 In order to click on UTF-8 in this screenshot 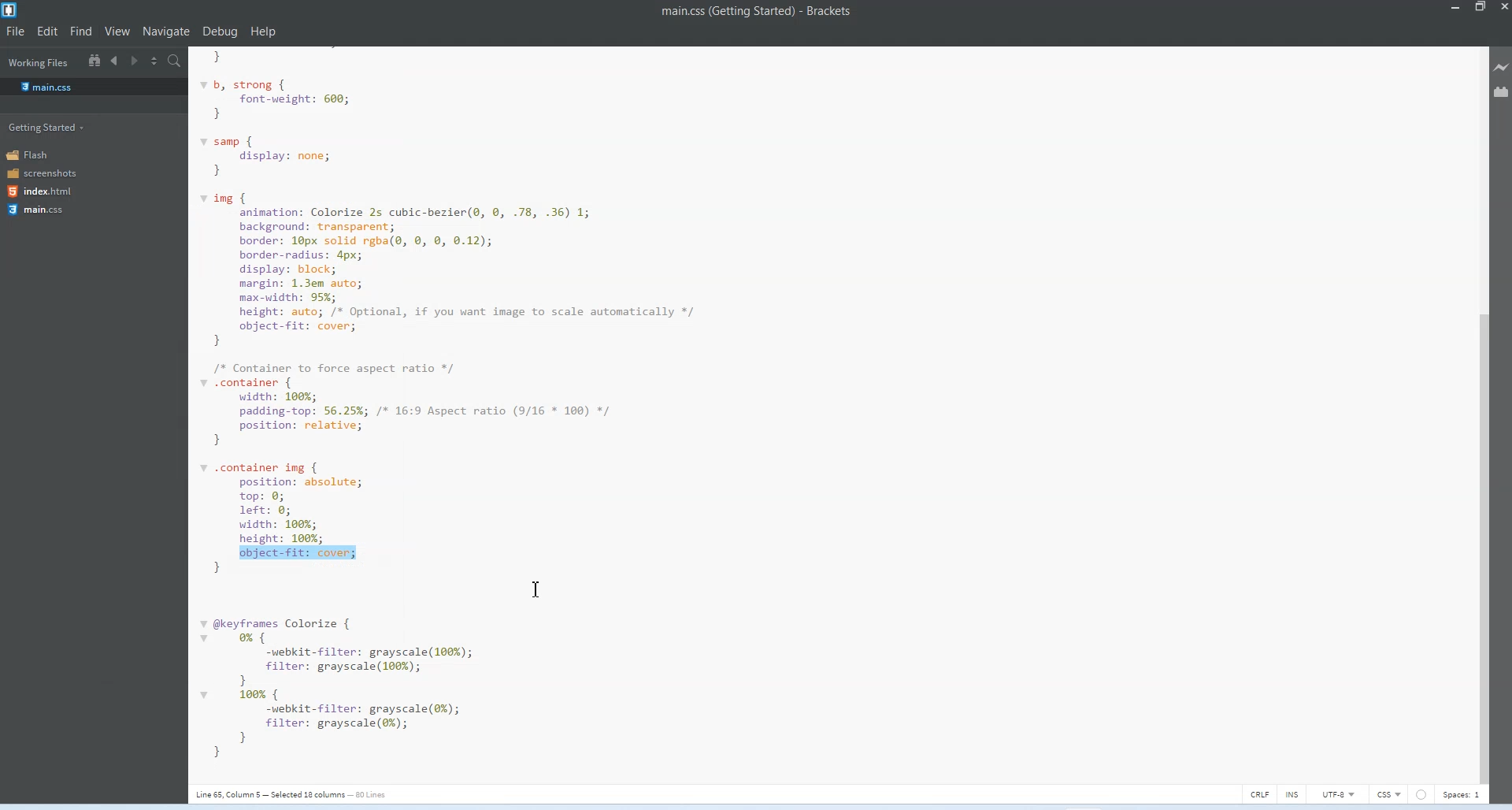, I will do `click(1340, 792)`.